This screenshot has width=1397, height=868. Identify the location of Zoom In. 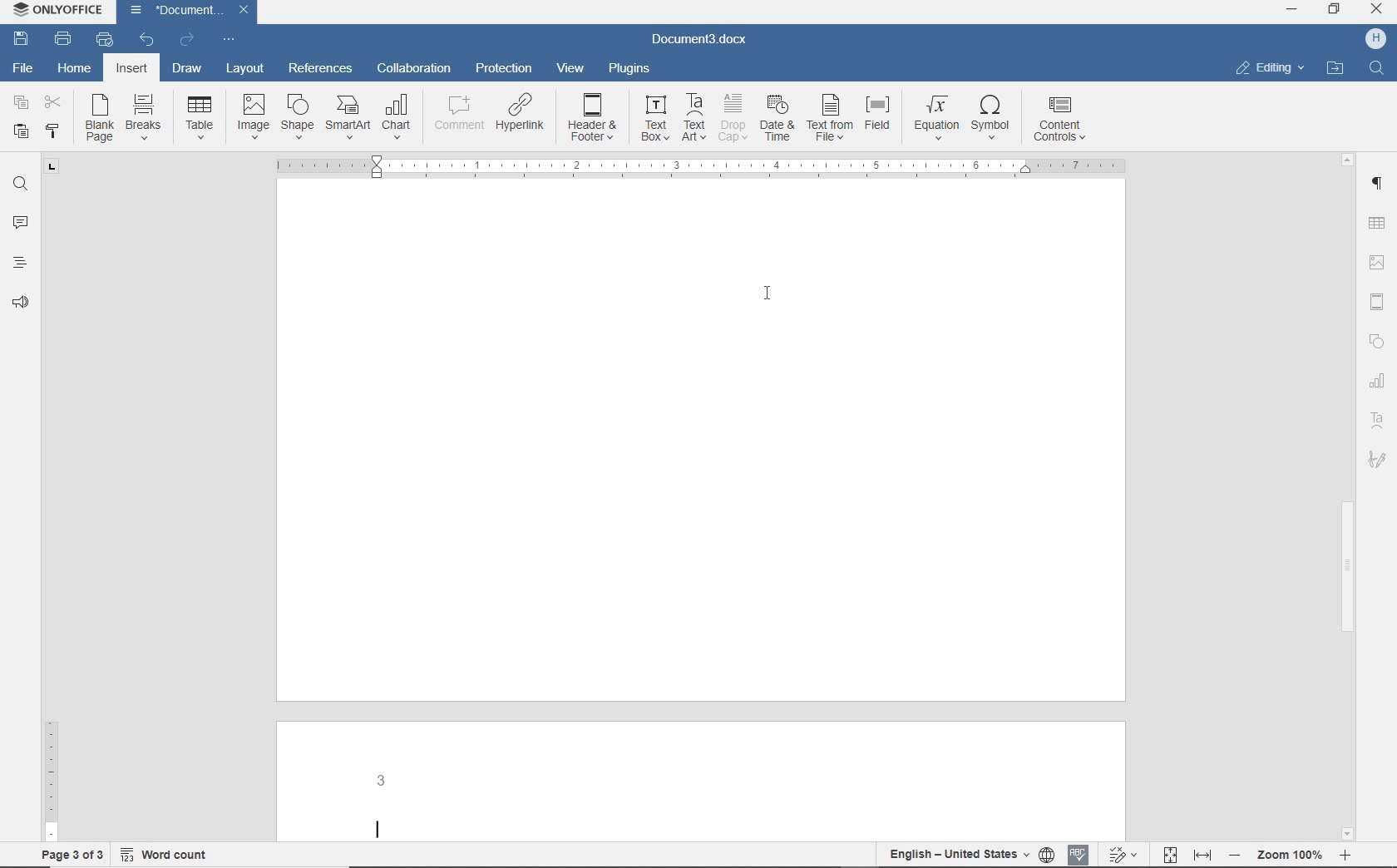
(1343, 858).